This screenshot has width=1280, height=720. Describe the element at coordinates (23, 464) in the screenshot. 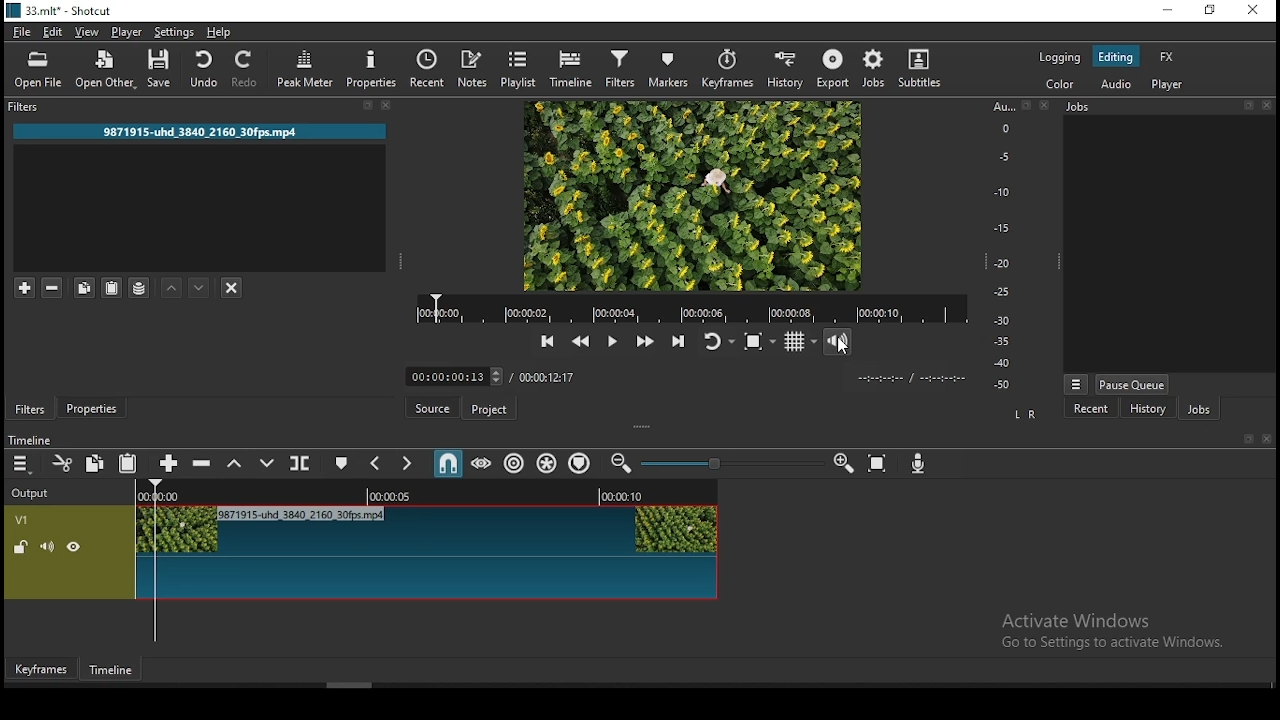

I see `menu` at that location.